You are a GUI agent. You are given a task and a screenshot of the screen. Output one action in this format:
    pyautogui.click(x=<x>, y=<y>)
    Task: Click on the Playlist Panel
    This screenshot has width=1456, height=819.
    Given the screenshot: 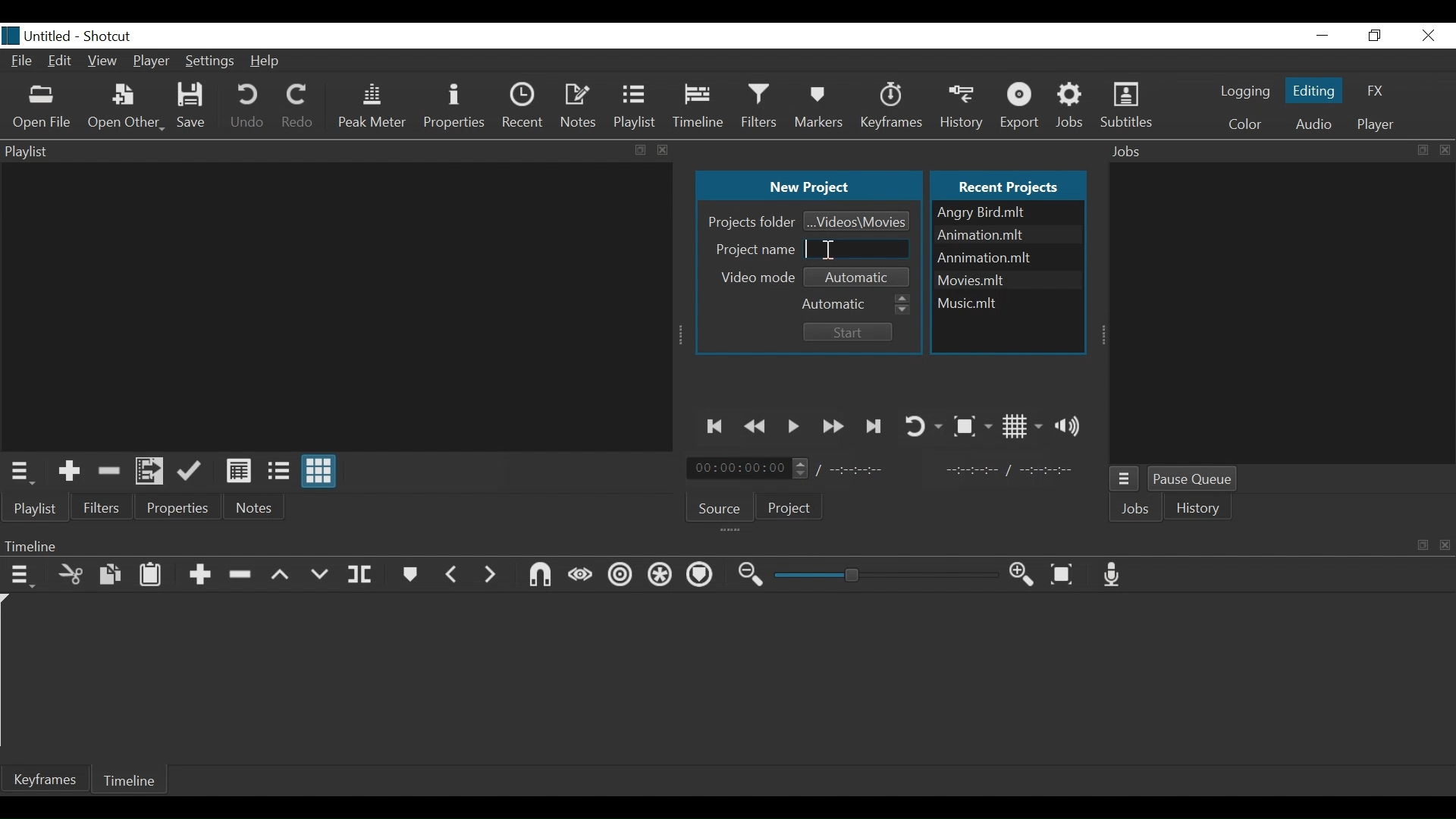 What is the action you would take?
    pyautogui.click(x=337, y=150)
    